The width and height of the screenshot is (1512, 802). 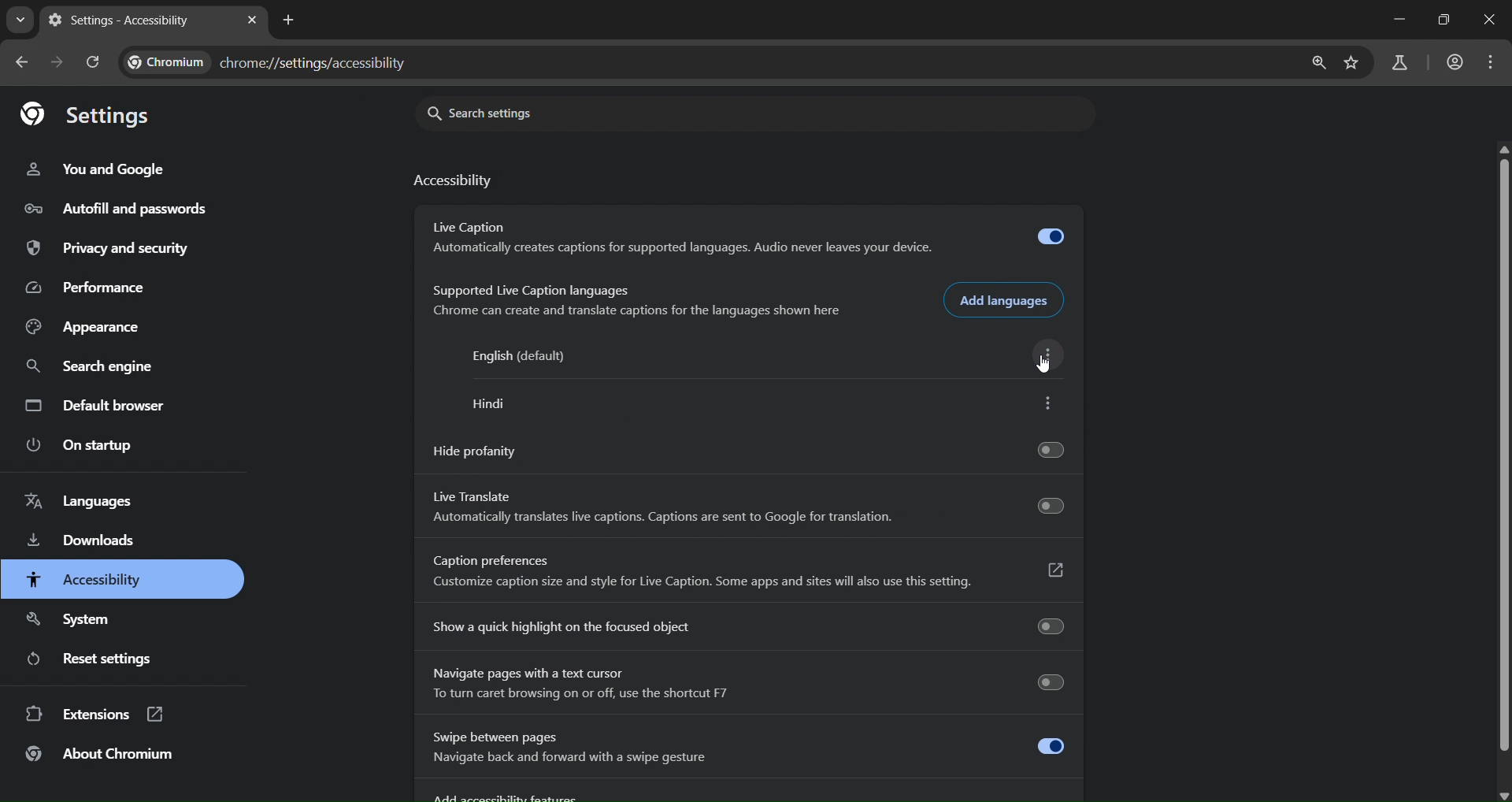 I want to click on accounts, so click(x=1451, y=62).